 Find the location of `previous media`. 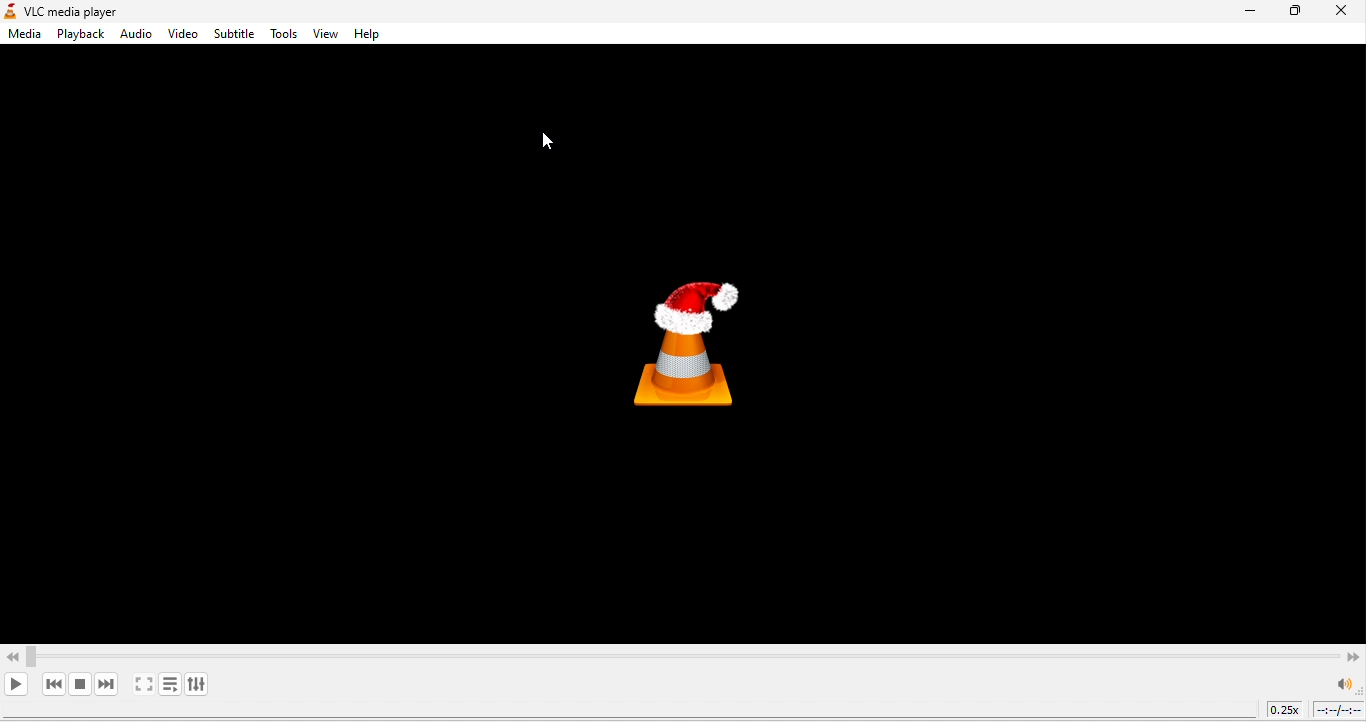

previous media is located at coordinates (58, 681).